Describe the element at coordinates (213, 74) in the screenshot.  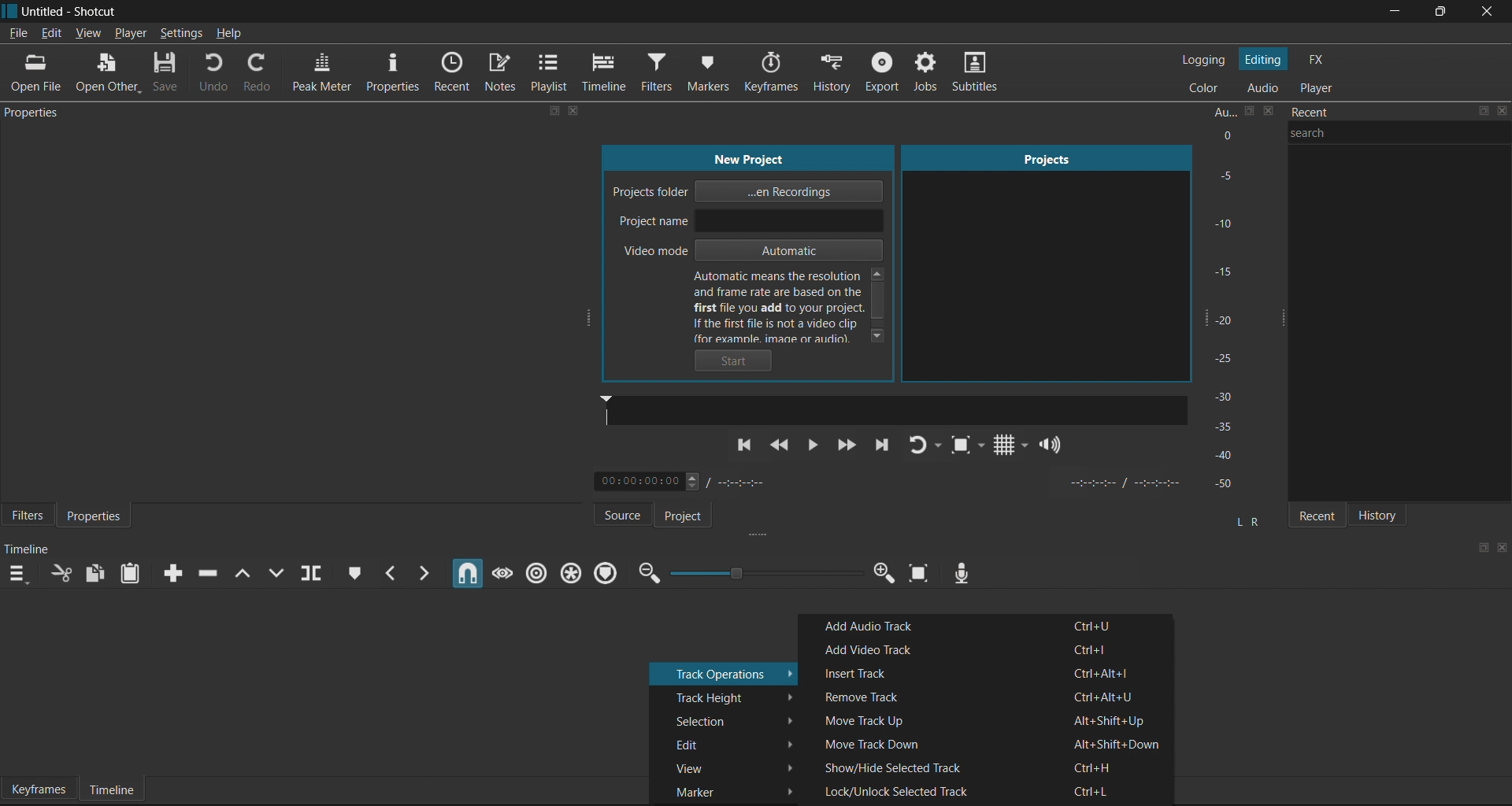
I see `Undo` at that location.